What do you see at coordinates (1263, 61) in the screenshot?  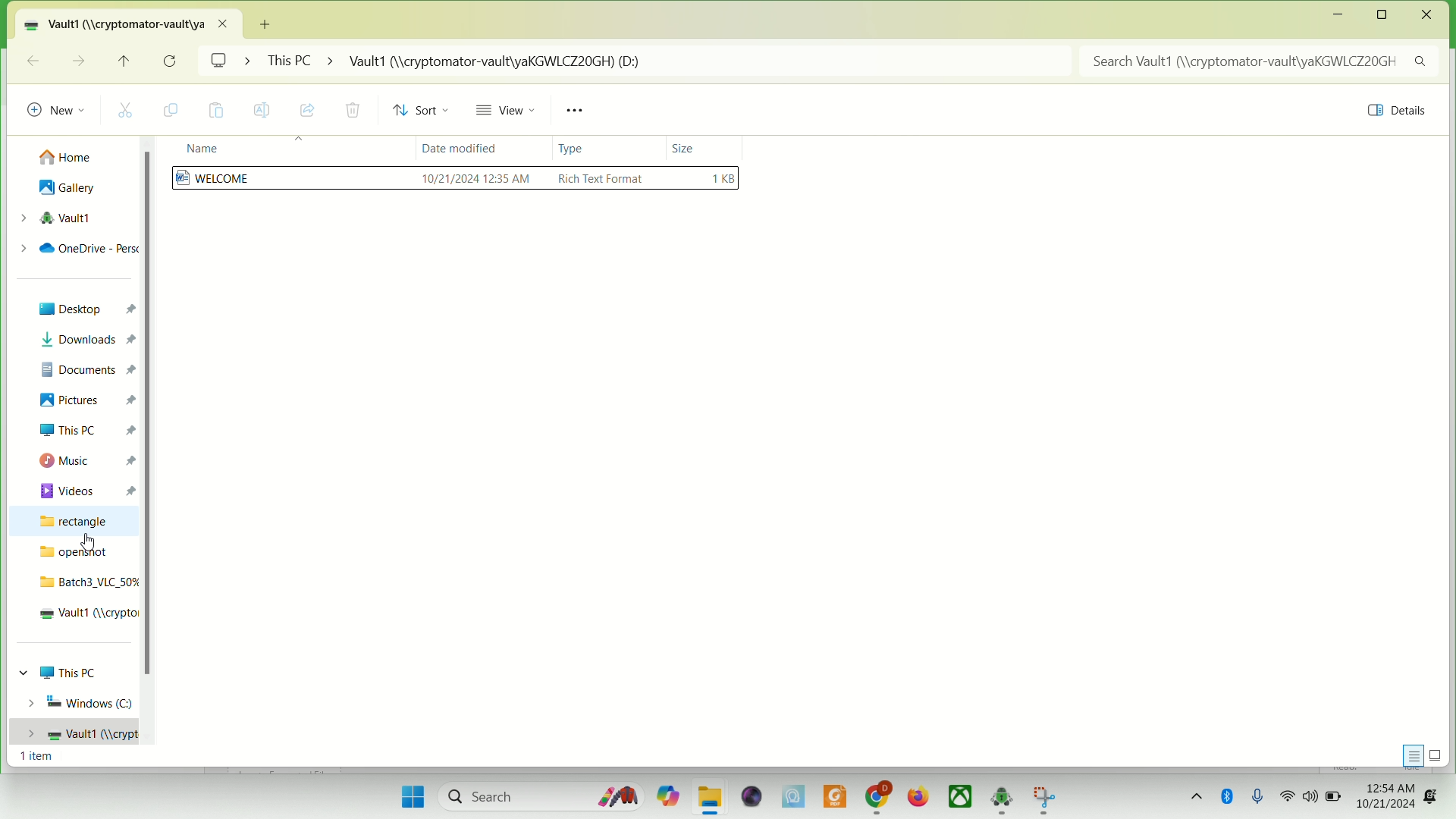 I see `search Vault1 (//cryptomator-vault/)` at bounding box center [1263, 61].